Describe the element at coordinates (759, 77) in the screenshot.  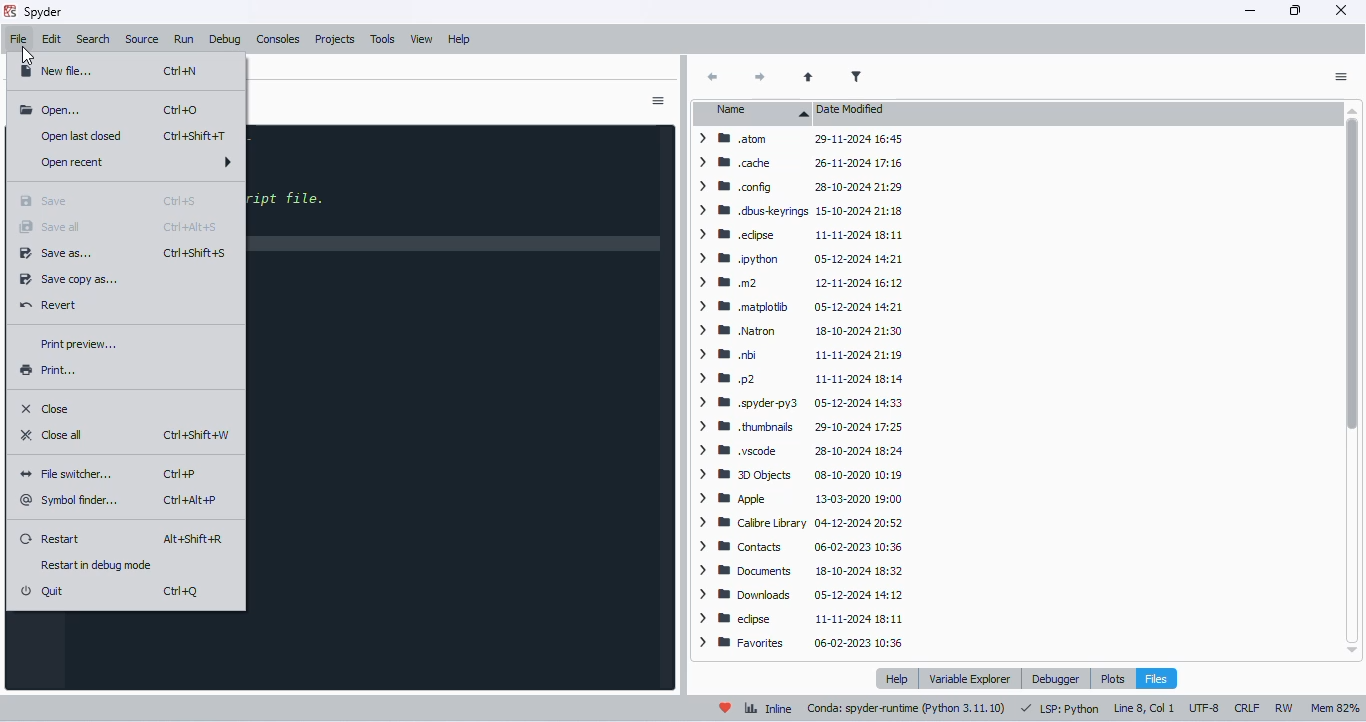
I see `next` at that location.